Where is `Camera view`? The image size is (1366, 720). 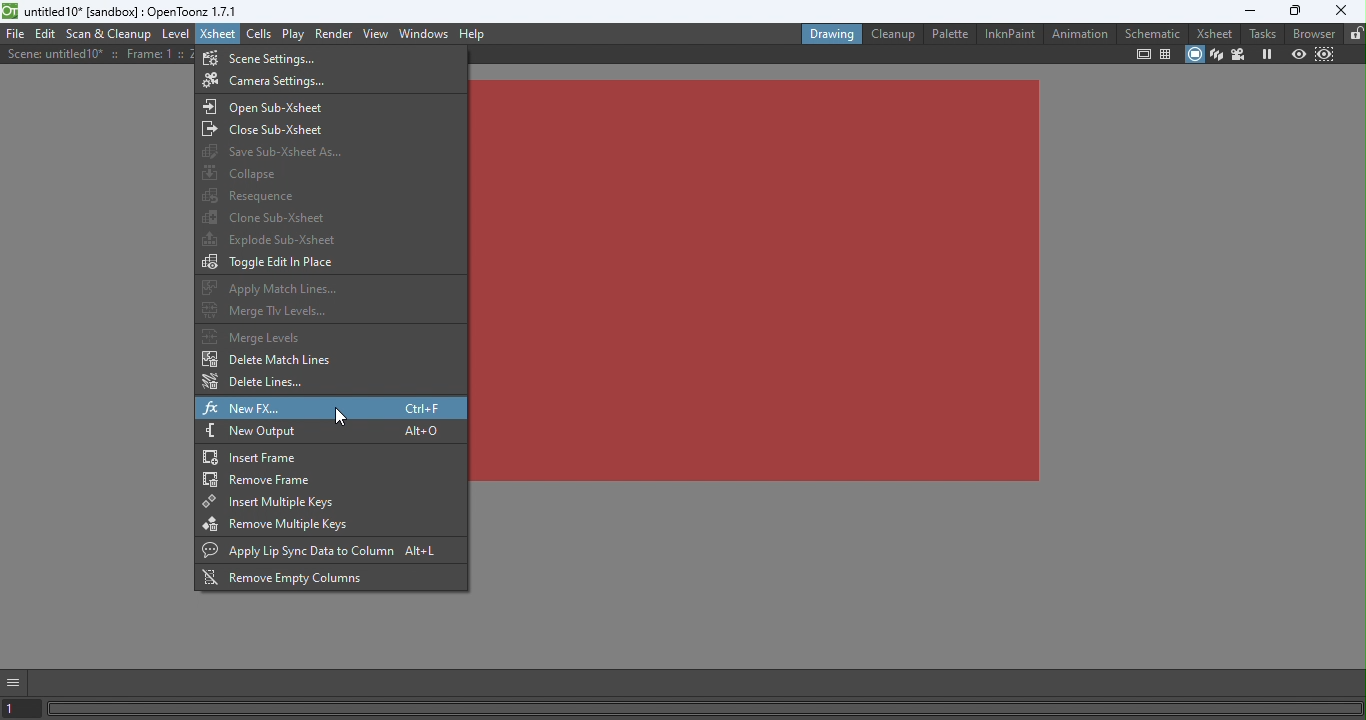 Camera view is located at coordinates (1240, 53).